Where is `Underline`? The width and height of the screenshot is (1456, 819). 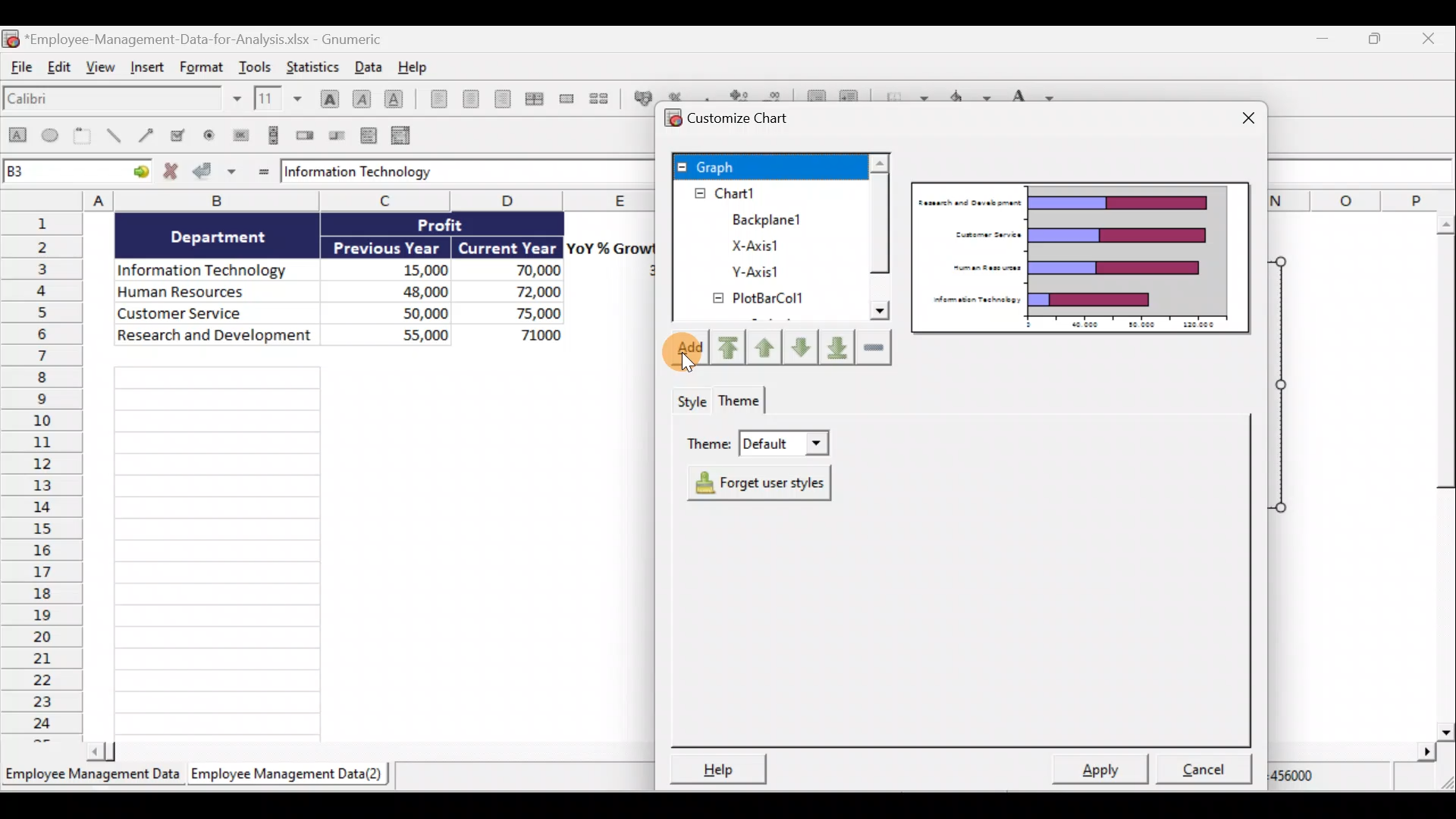
Underline is located at coordinates (394, 96).